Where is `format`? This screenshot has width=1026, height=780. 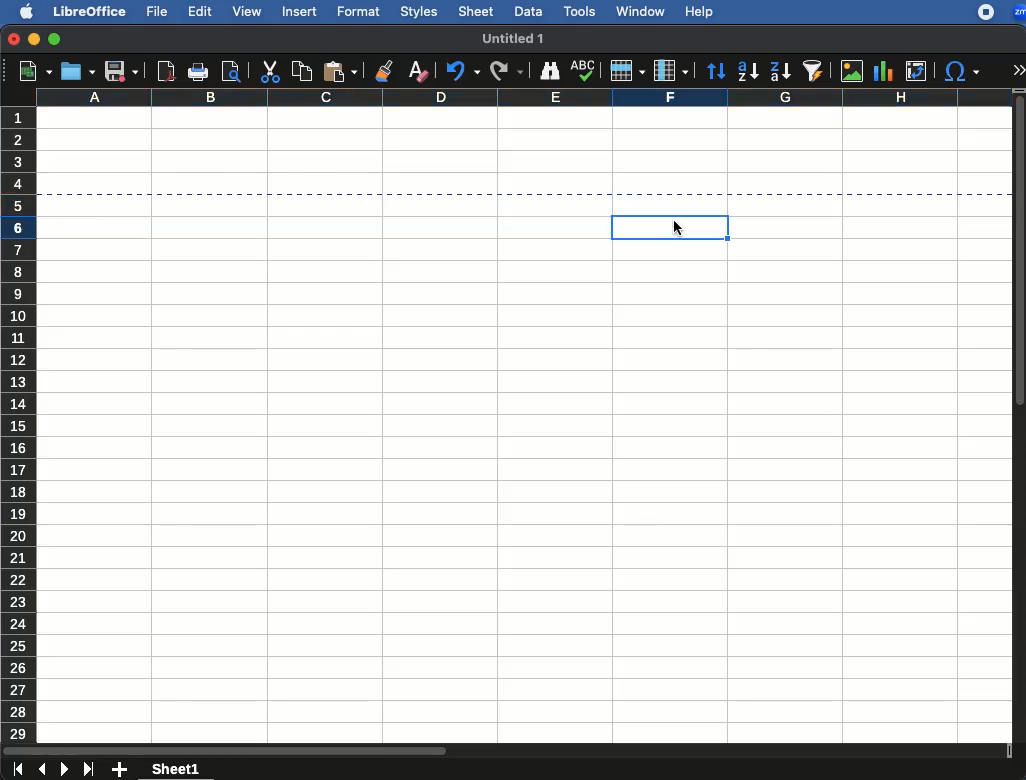 format is located at coordinates (359, 12).